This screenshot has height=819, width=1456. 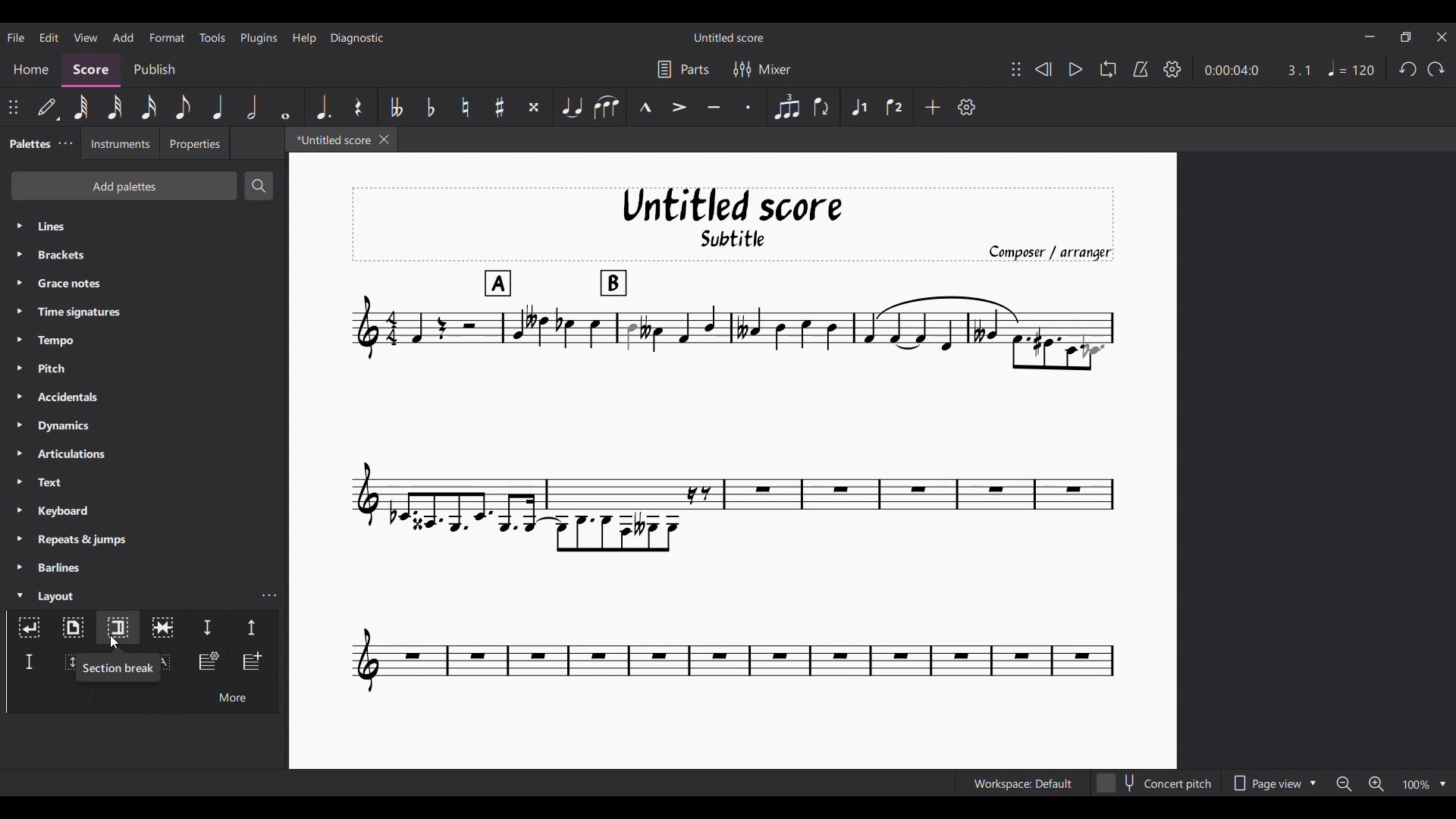 I want to click on File menu, so click(x=16, y=37).